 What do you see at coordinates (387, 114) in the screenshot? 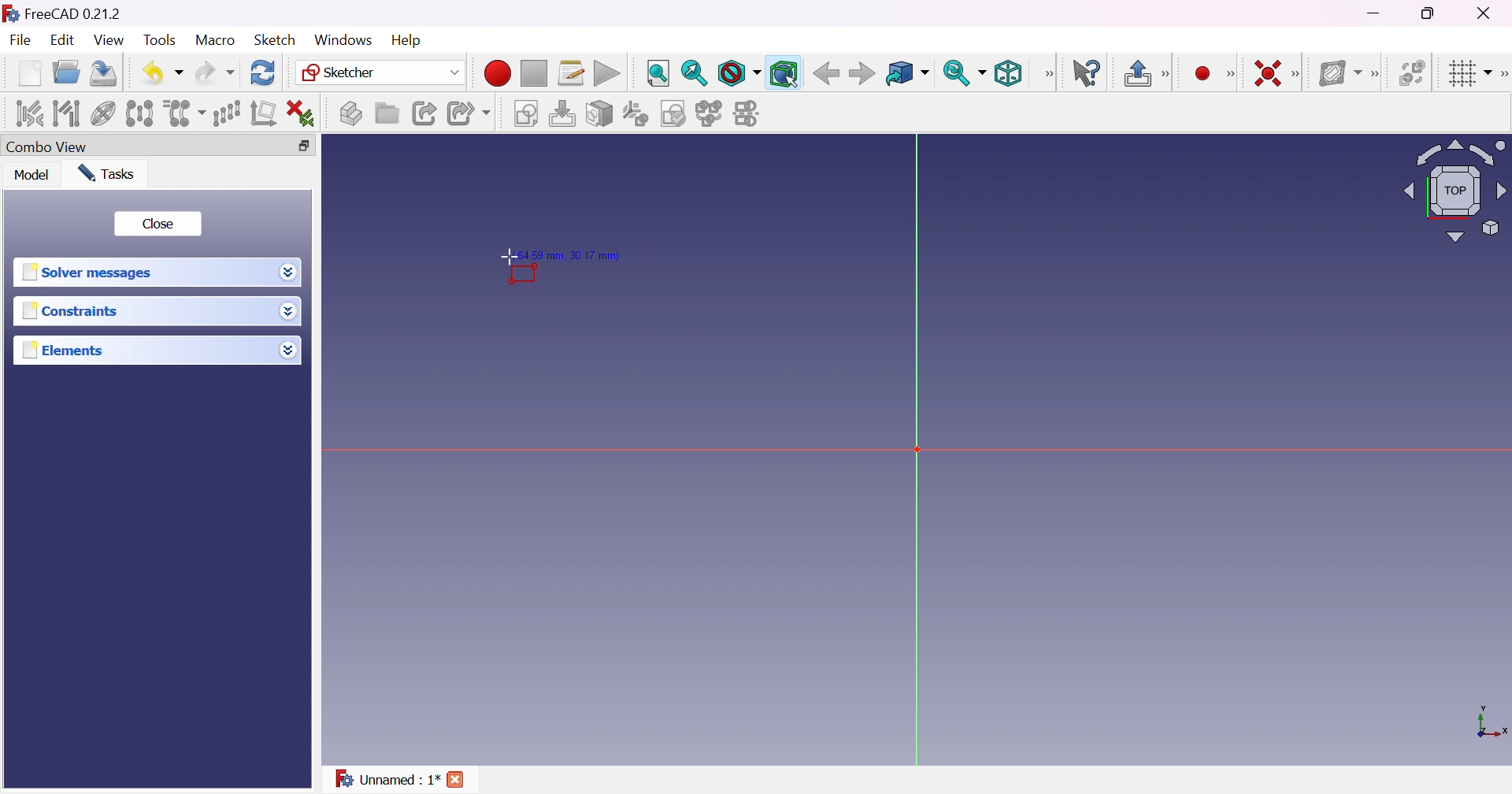
I see `Create group` at bounding box center [387, 114].